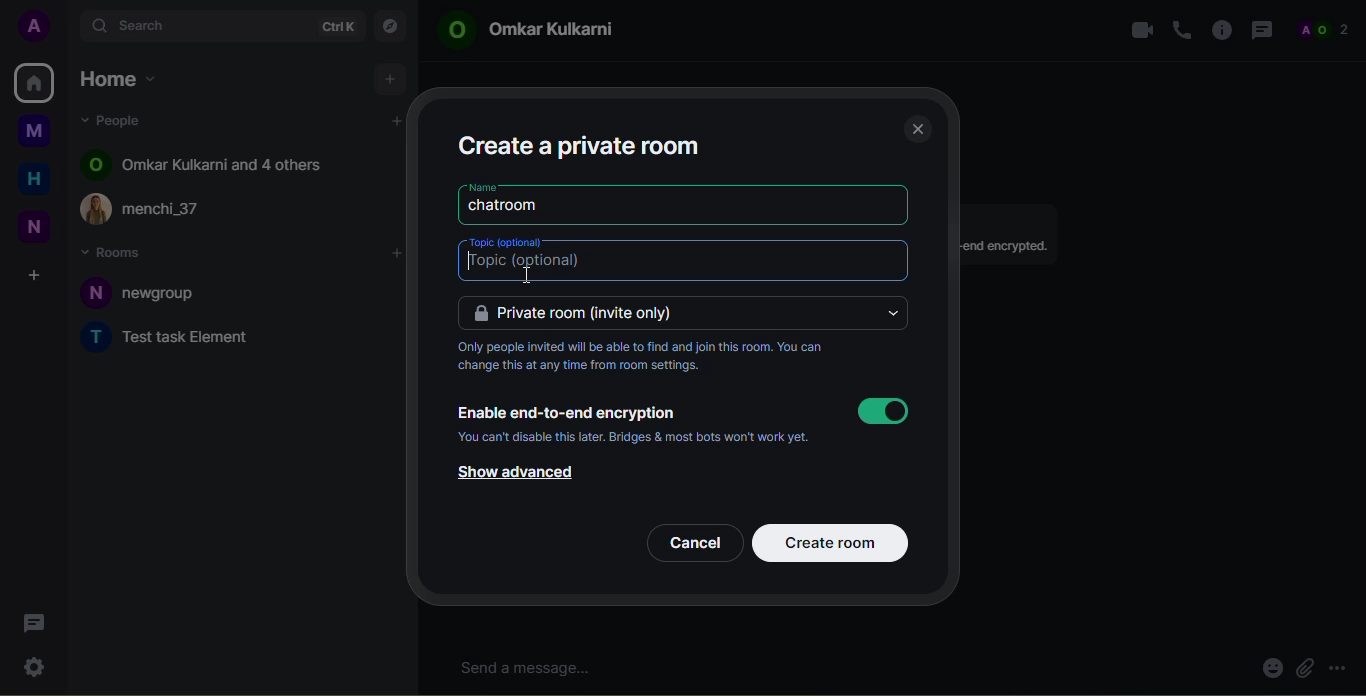 This screenshot has height=696, width=1366. What do you see at coordinates (1261, 30) in the screenshot?
I see `threads` at bounding box center [1261, 30].